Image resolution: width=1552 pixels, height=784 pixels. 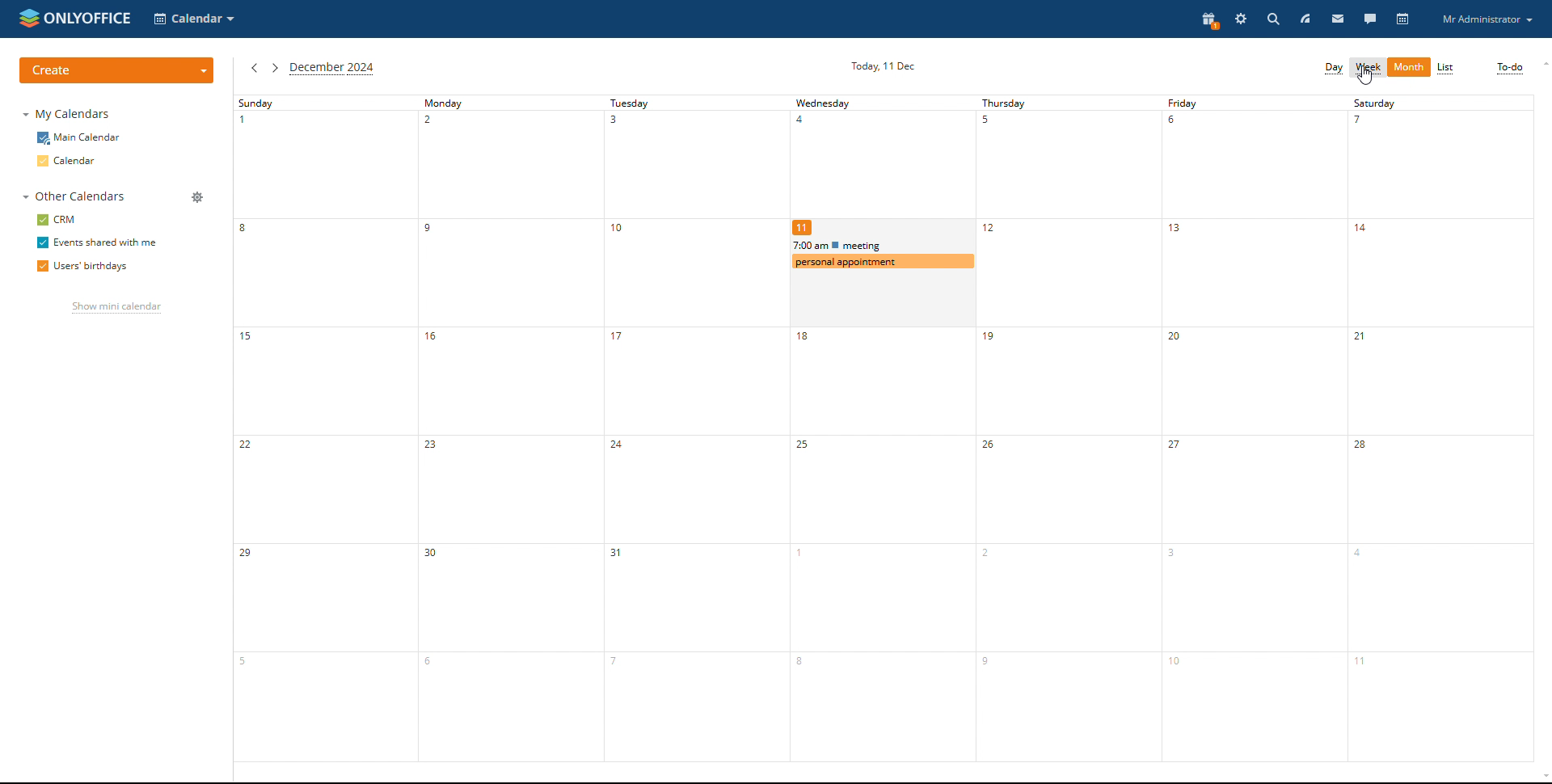 I want to click on evebts shared with me, so click(x=99, y=242).